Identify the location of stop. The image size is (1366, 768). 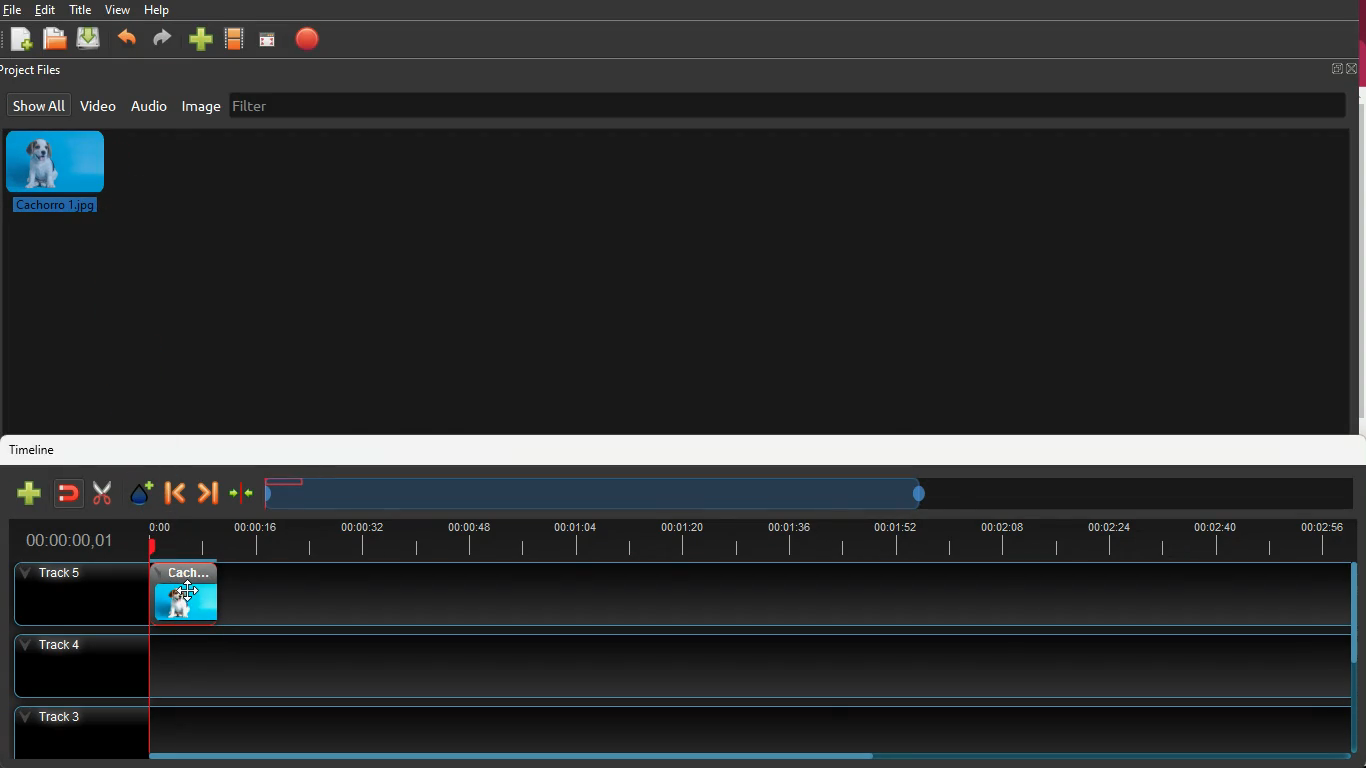
(312, 43).